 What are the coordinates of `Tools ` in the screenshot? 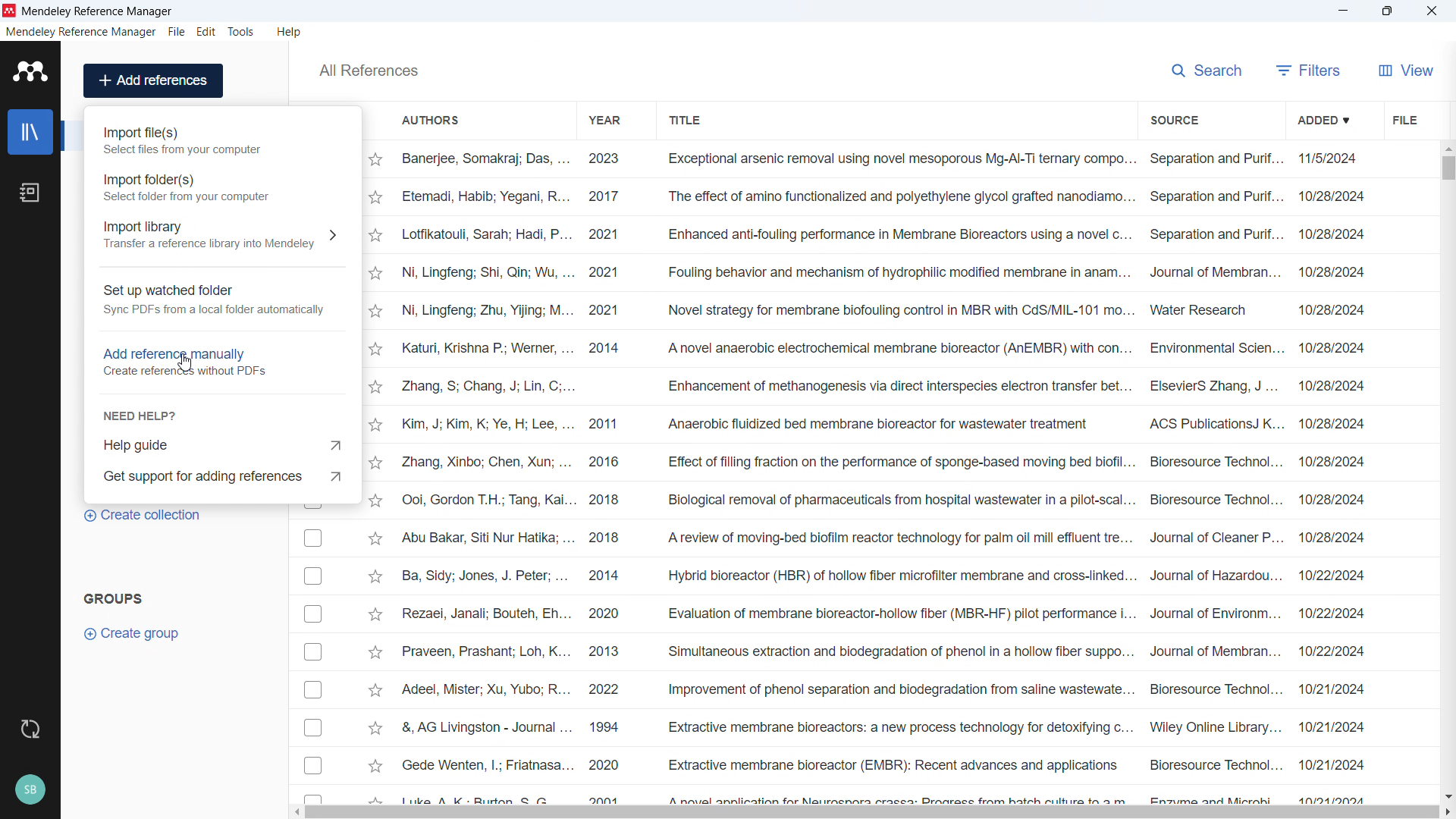 It's located at (241, 32).